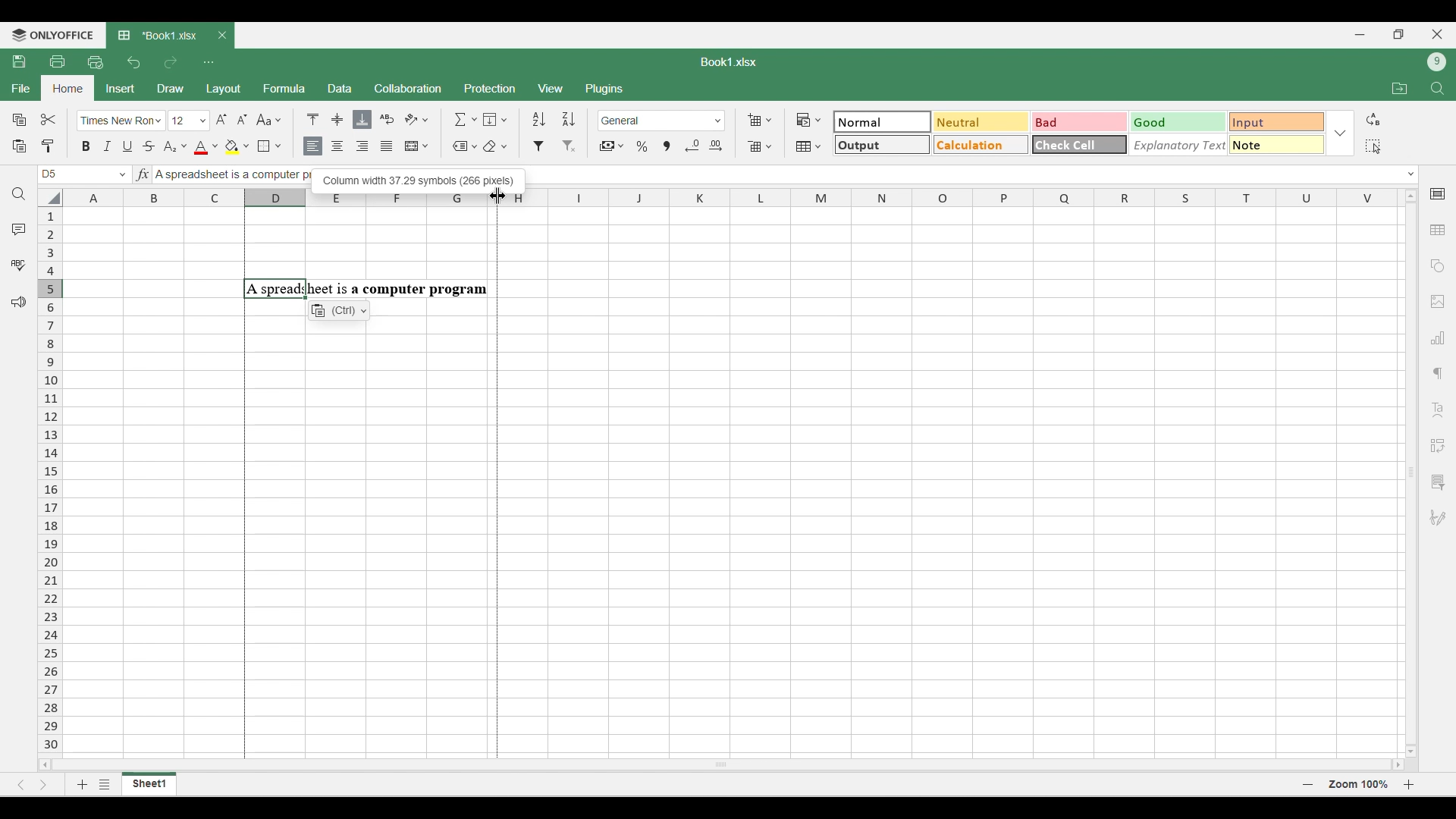  Describe the element at coordinates (418, 178) in the screenshot. I see `Column width 37.29 symbols (266 pixels)` at that location.